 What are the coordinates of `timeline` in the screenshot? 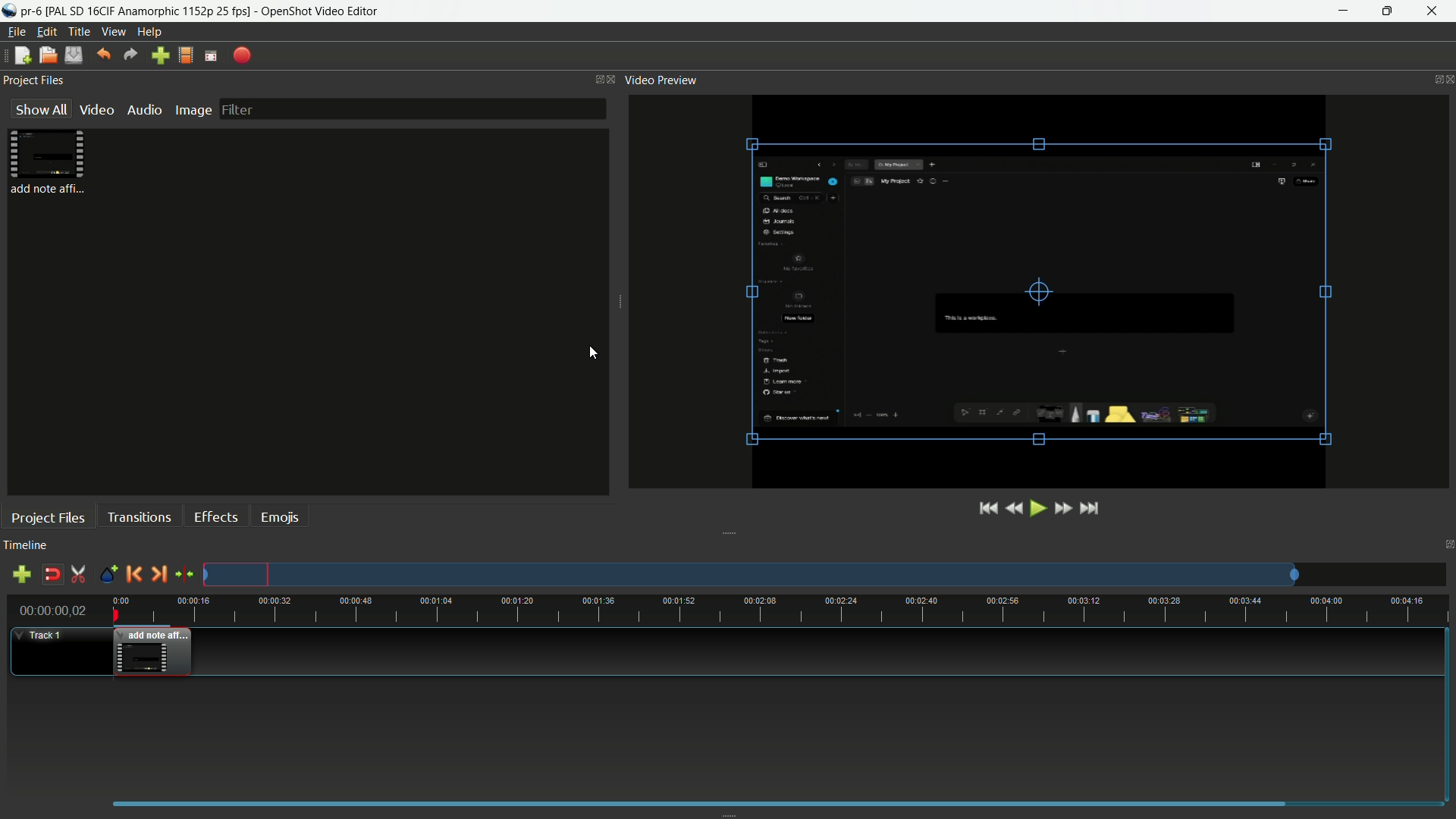 It's located at (26, 544).